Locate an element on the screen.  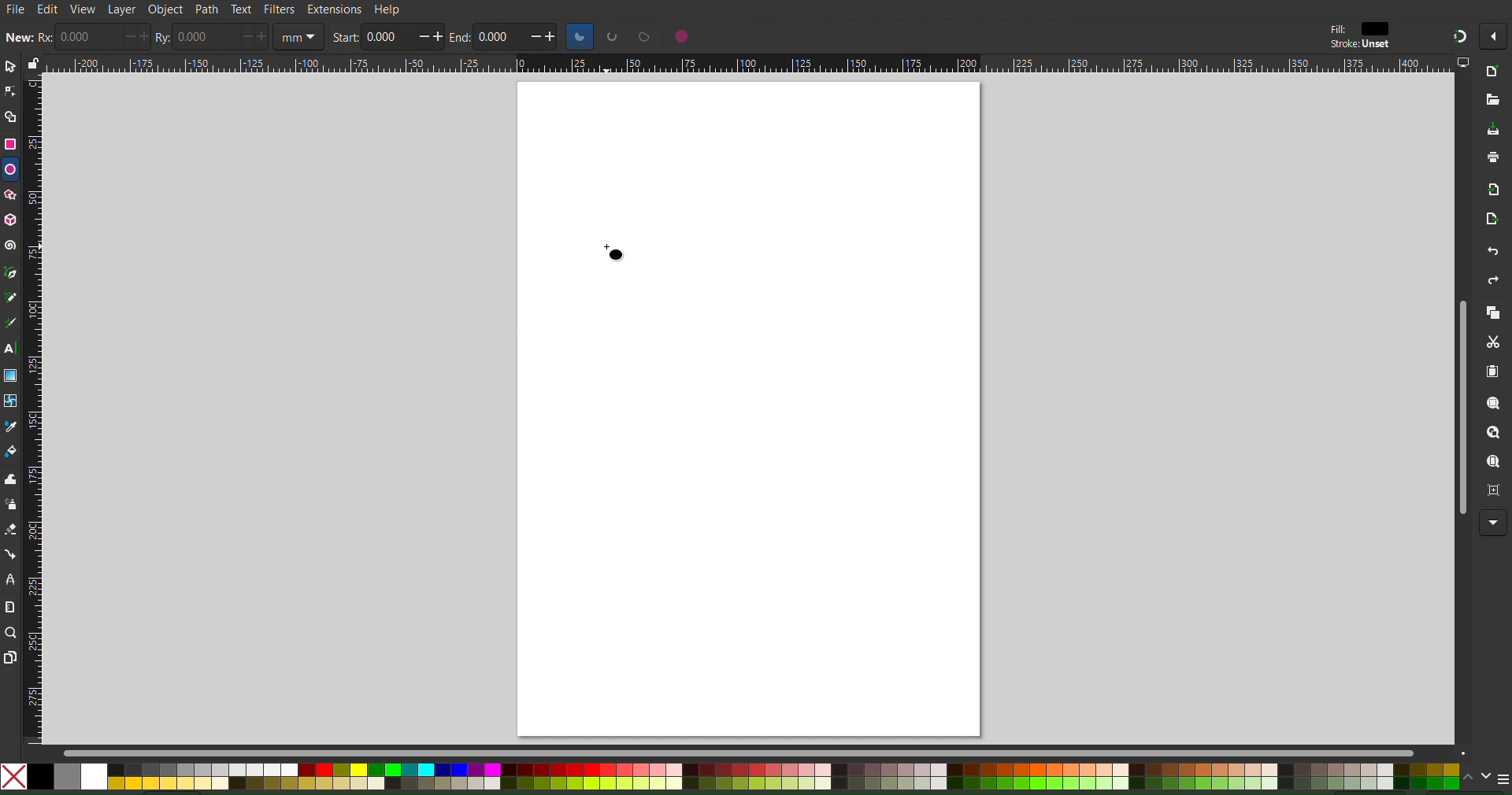
Import Bitmap is located at coordinates (1492, 190).